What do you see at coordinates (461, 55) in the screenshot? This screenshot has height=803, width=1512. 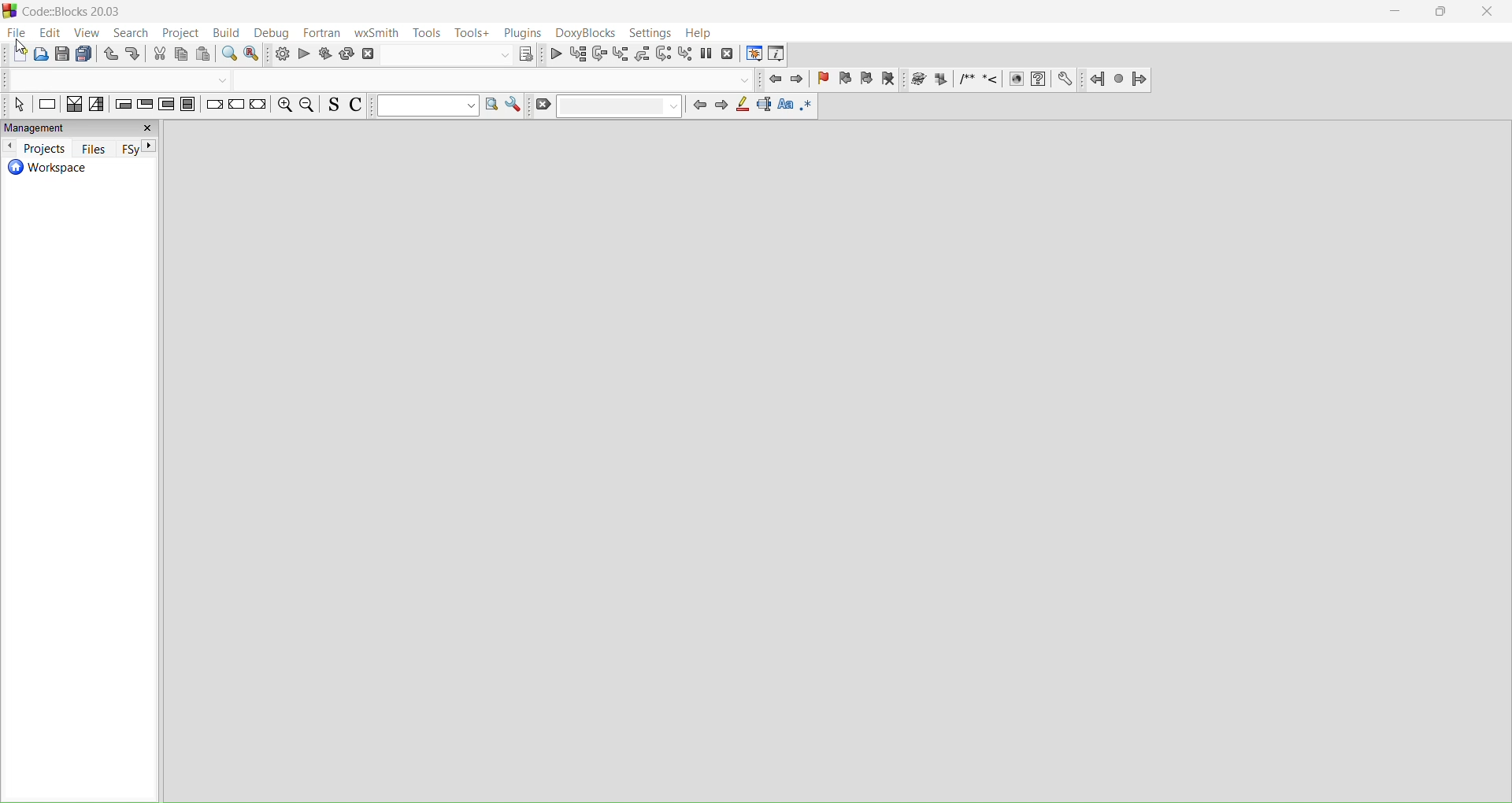 I see `show the select target dialogue` at bounding box center [461, 55].